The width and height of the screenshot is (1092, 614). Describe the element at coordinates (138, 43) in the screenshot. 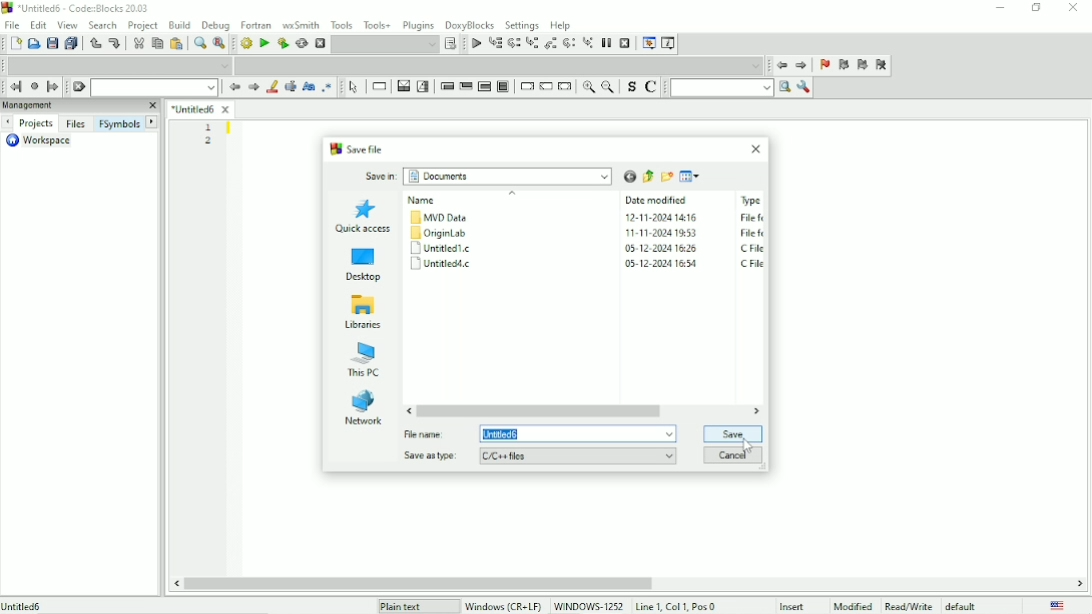

I see `Cut` at that location.